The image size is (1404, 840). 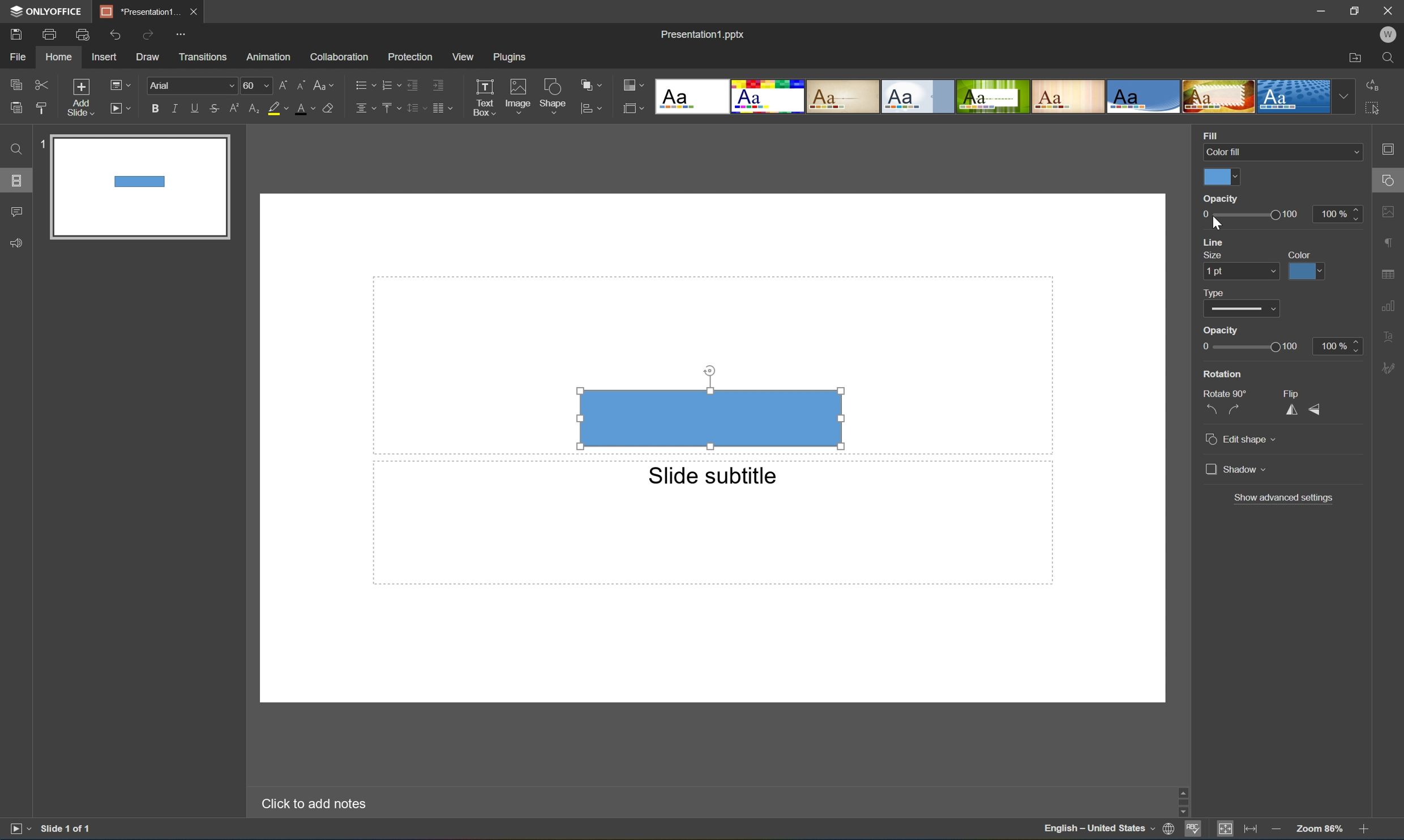 What do you see at coordinates (631, 107) in the screenshot?
I see `icon` at bounding box center [631, 107].